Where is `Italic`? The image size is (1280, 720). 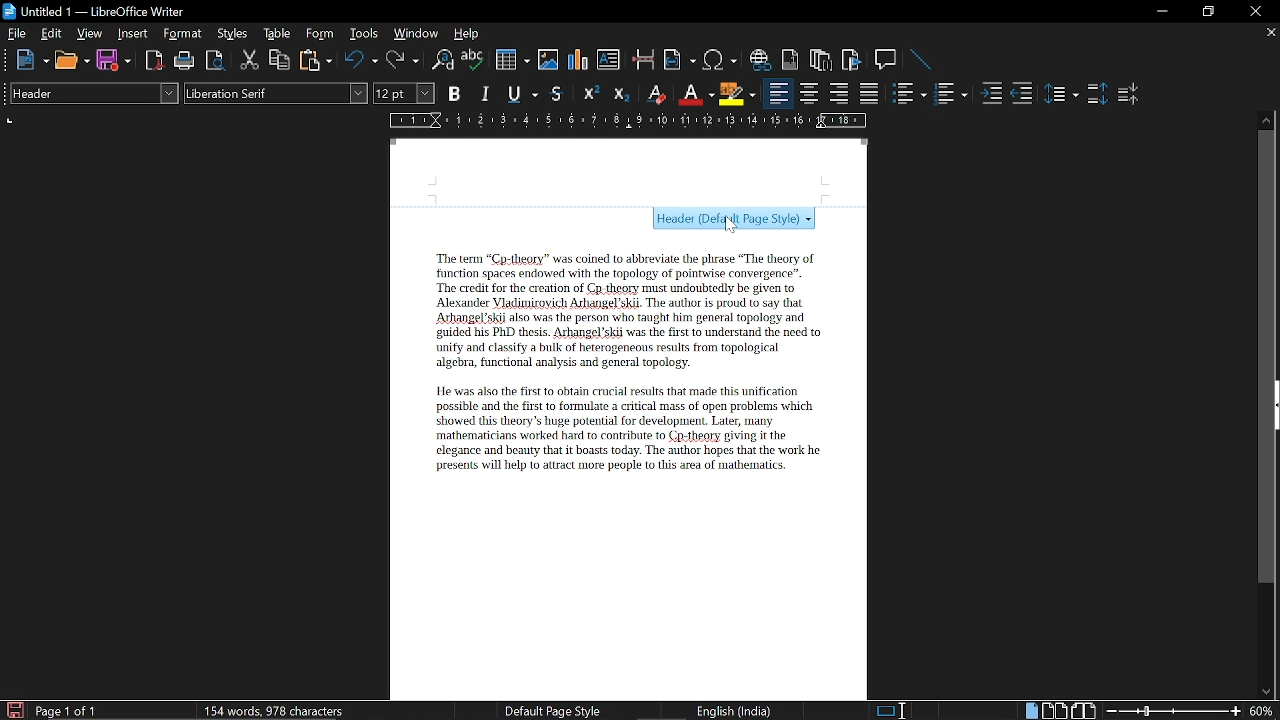 Italic is located at coordinates (486, 94).